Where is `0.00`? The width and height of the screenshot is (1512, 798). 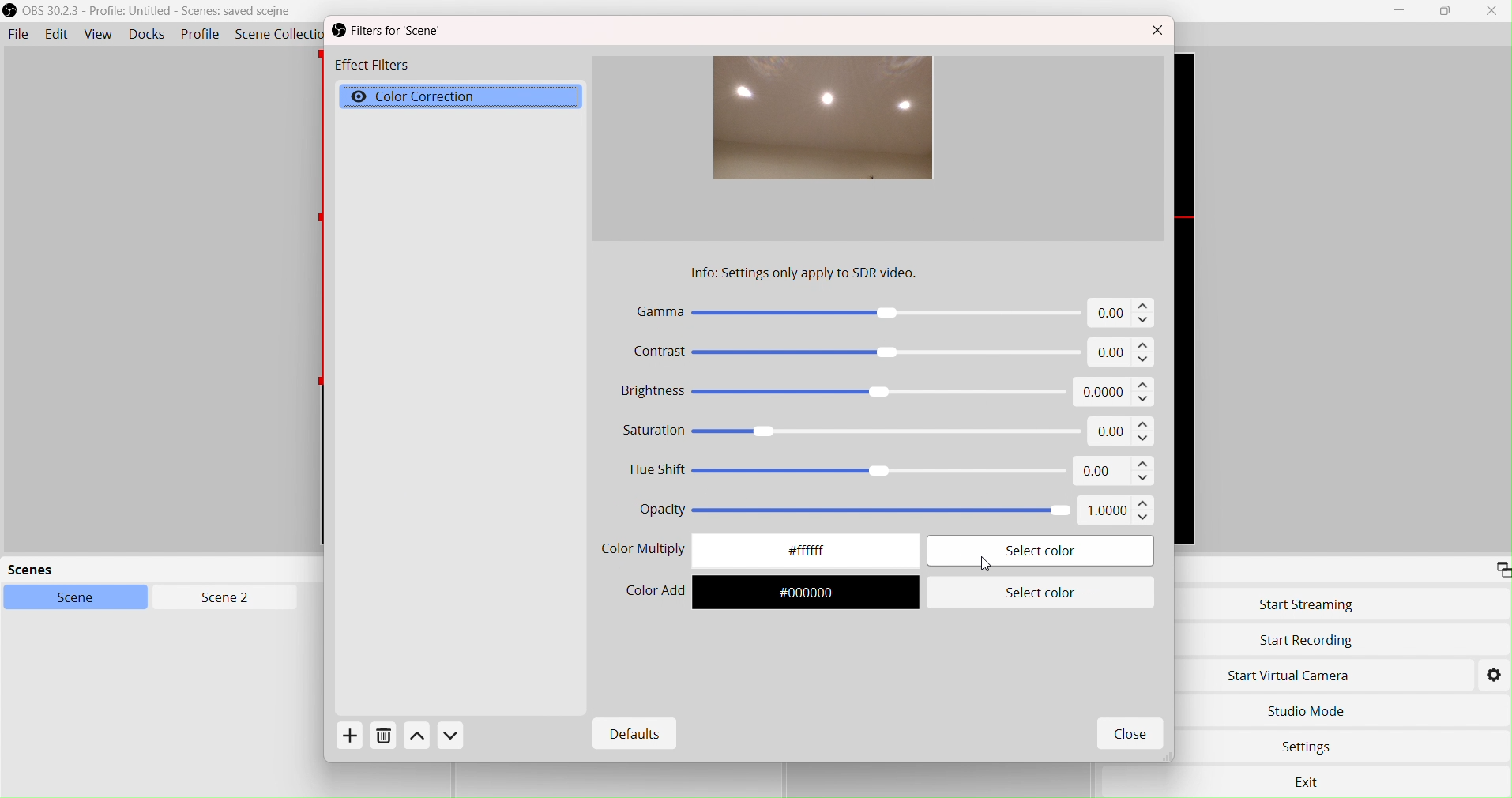
0.00 is located at coordinates (1123, 432).